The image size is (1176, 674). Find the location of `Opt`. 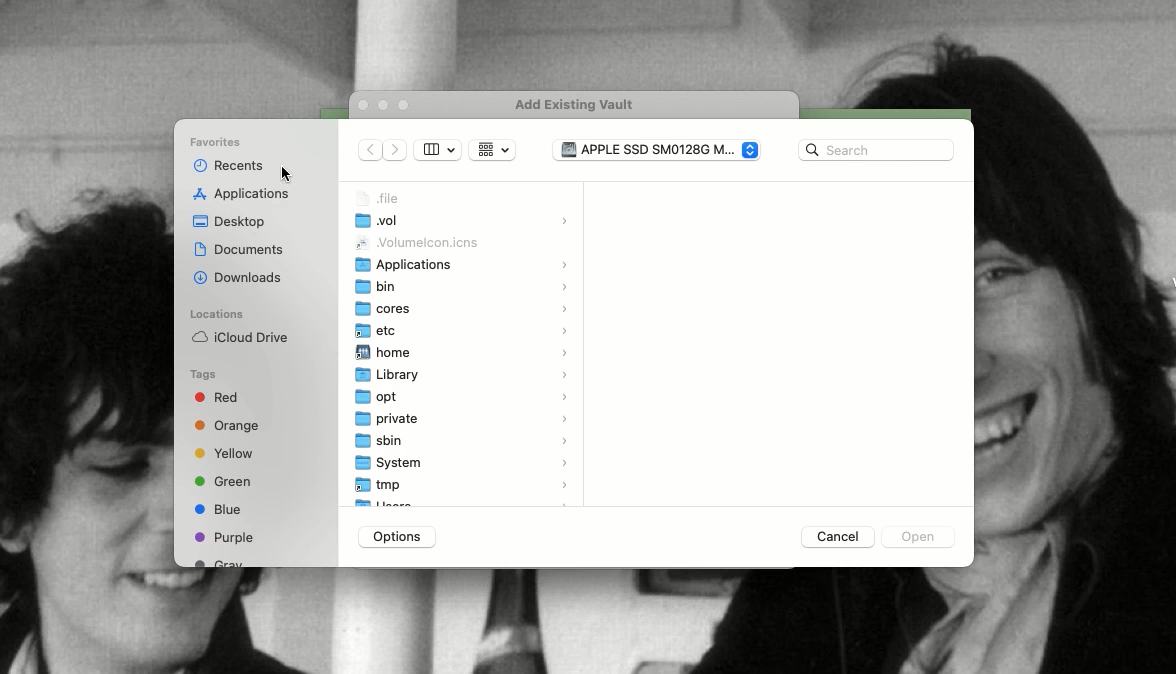

Opt is located at coordinates (463, 398).